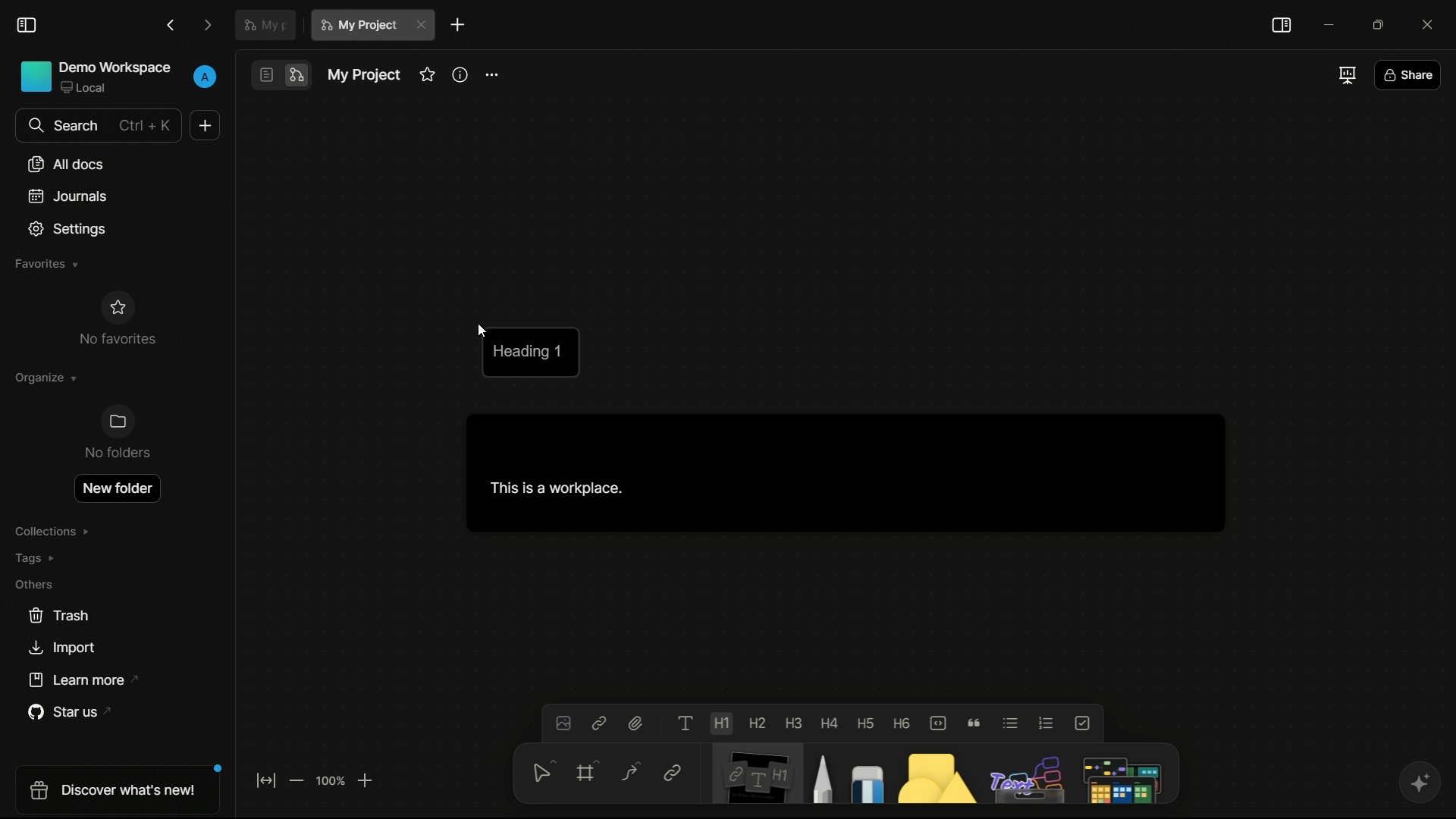  What do you see at coordinates (118, 433) in the screenshot?
I see `no folders` at bounding box center [118, 433].